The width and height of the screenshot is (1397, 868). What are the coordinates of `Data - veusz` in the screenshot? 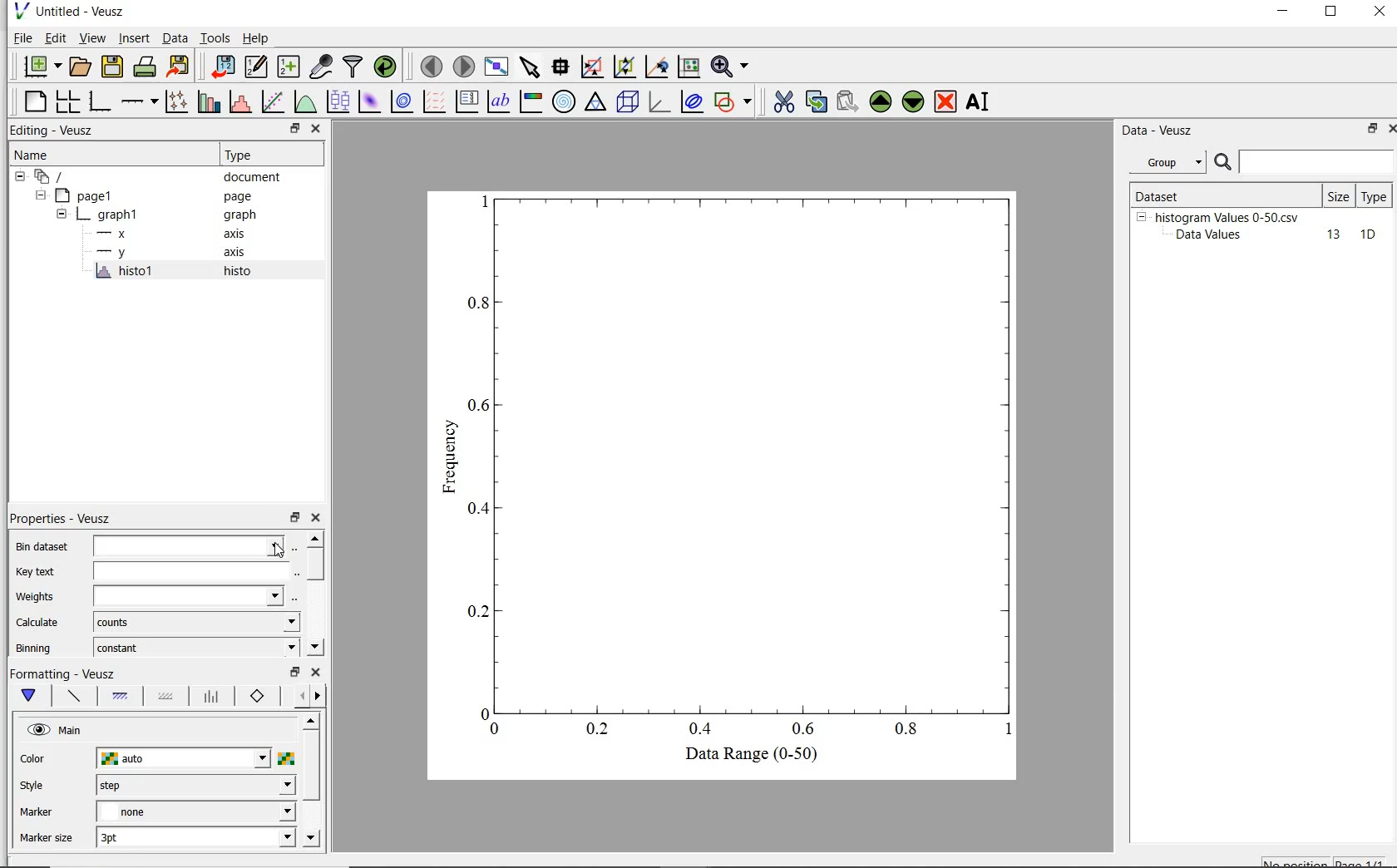 It's located at (1160, 131).